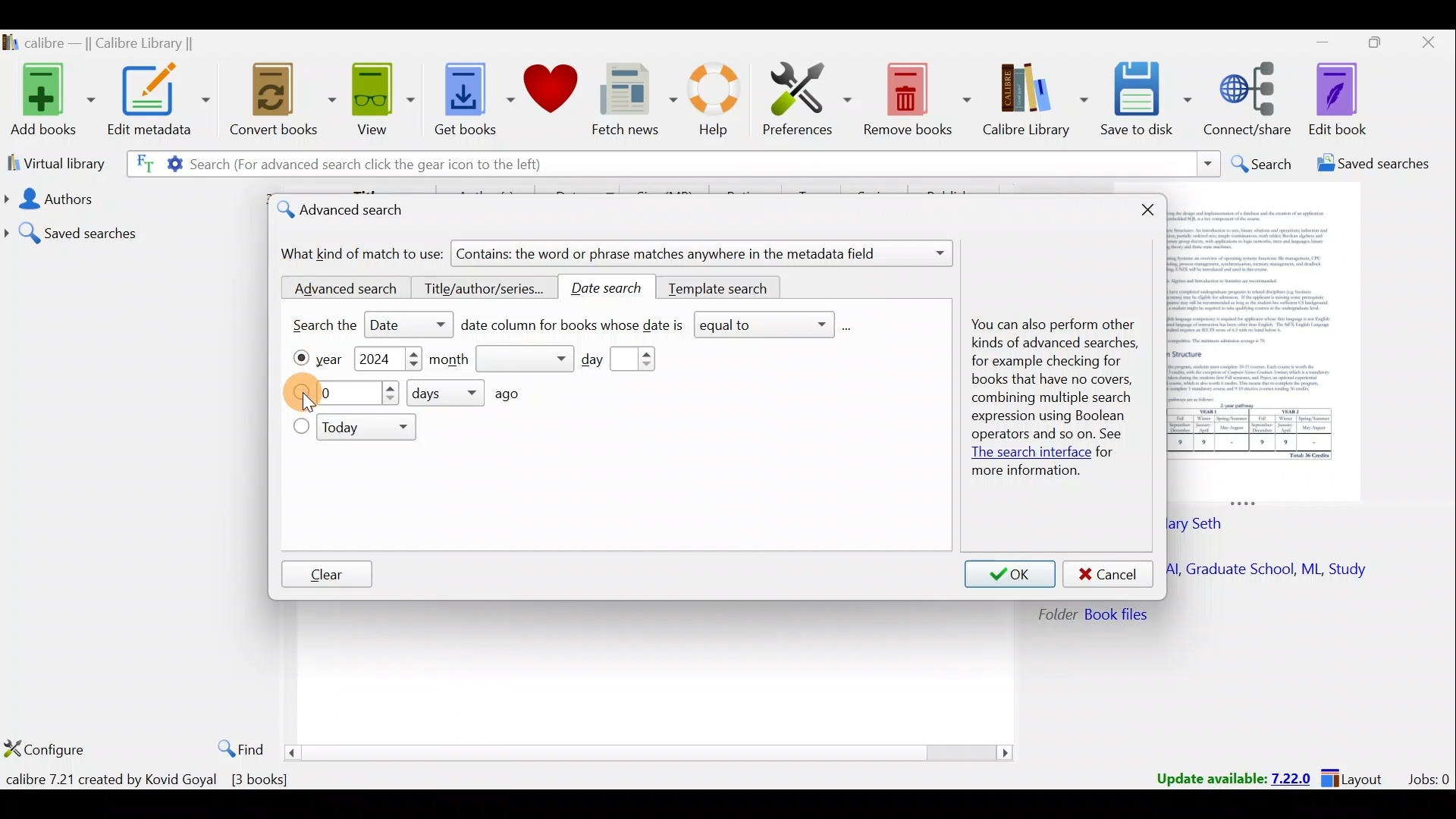  Describe the element at coordinates (1369, 165) in the screenshot. I see `Saved searches` at that location.